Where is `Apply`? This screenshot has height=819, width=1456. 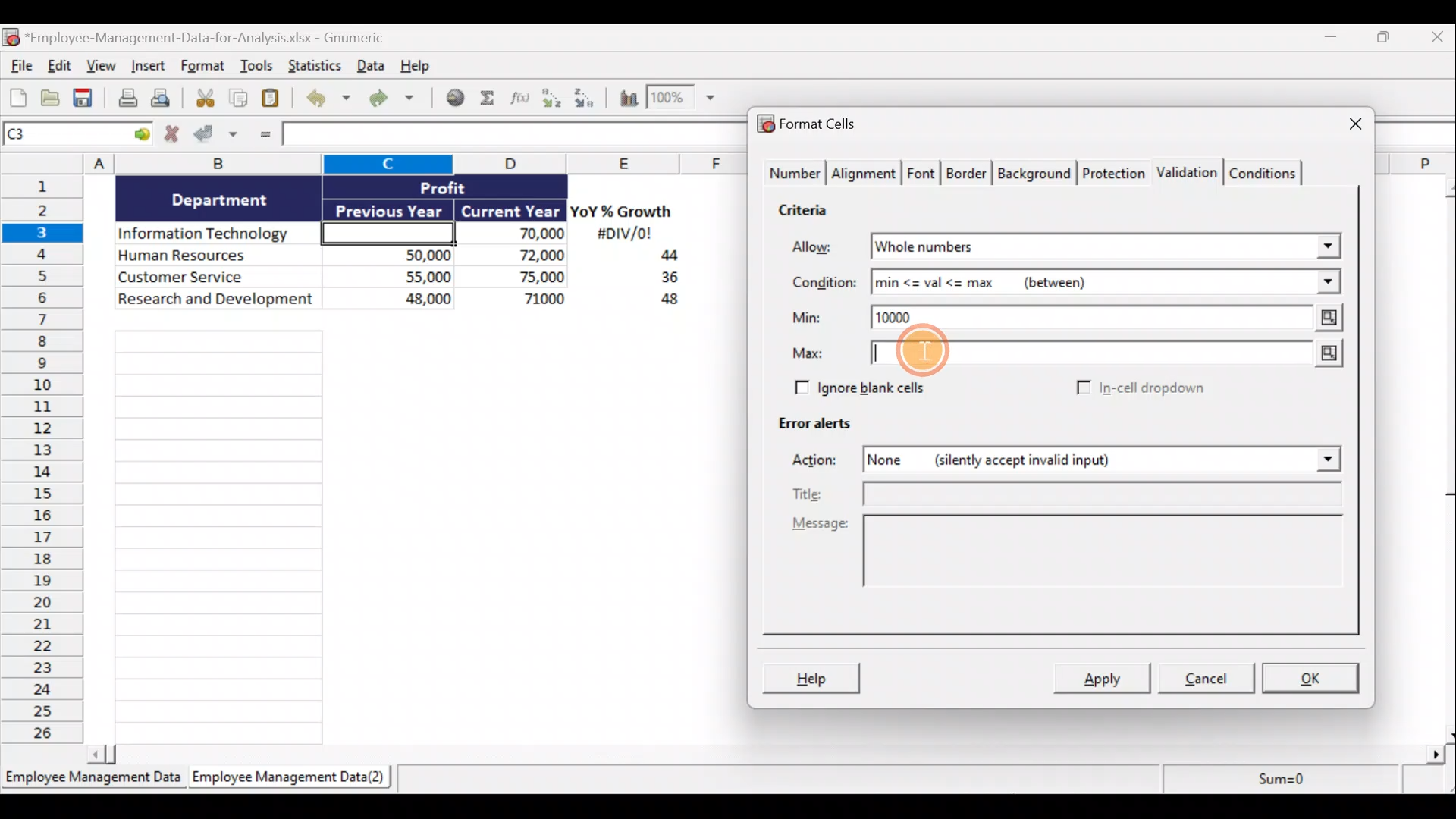 Apply is located at coordinates (1103, 679).